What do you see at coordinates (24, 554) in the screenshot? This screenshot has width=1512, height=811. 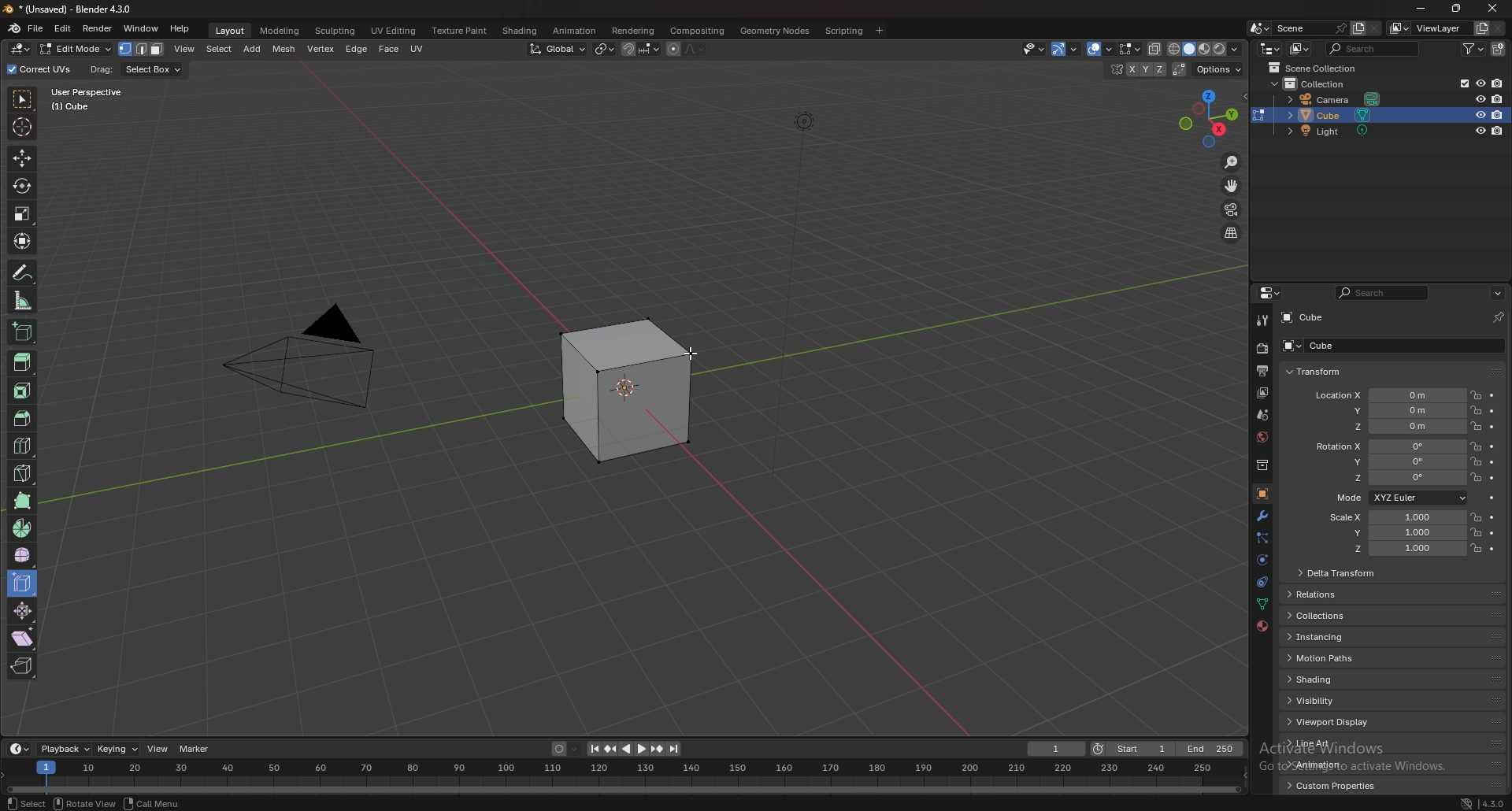 I see `smooth` at bounding box center [24, 554].